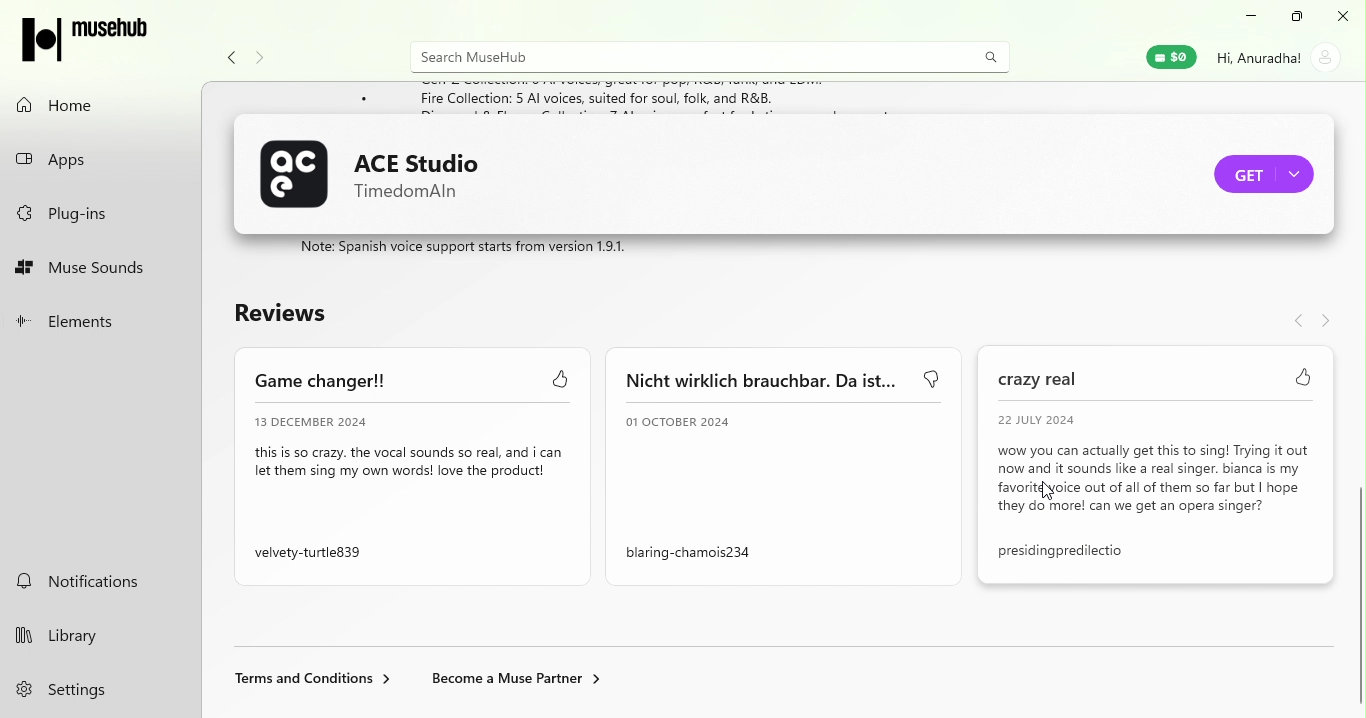 The image size is (1366, 718). Describe the element at coordinates (1358, 400) in the screenshot. I see `Scroll bar` at that location.